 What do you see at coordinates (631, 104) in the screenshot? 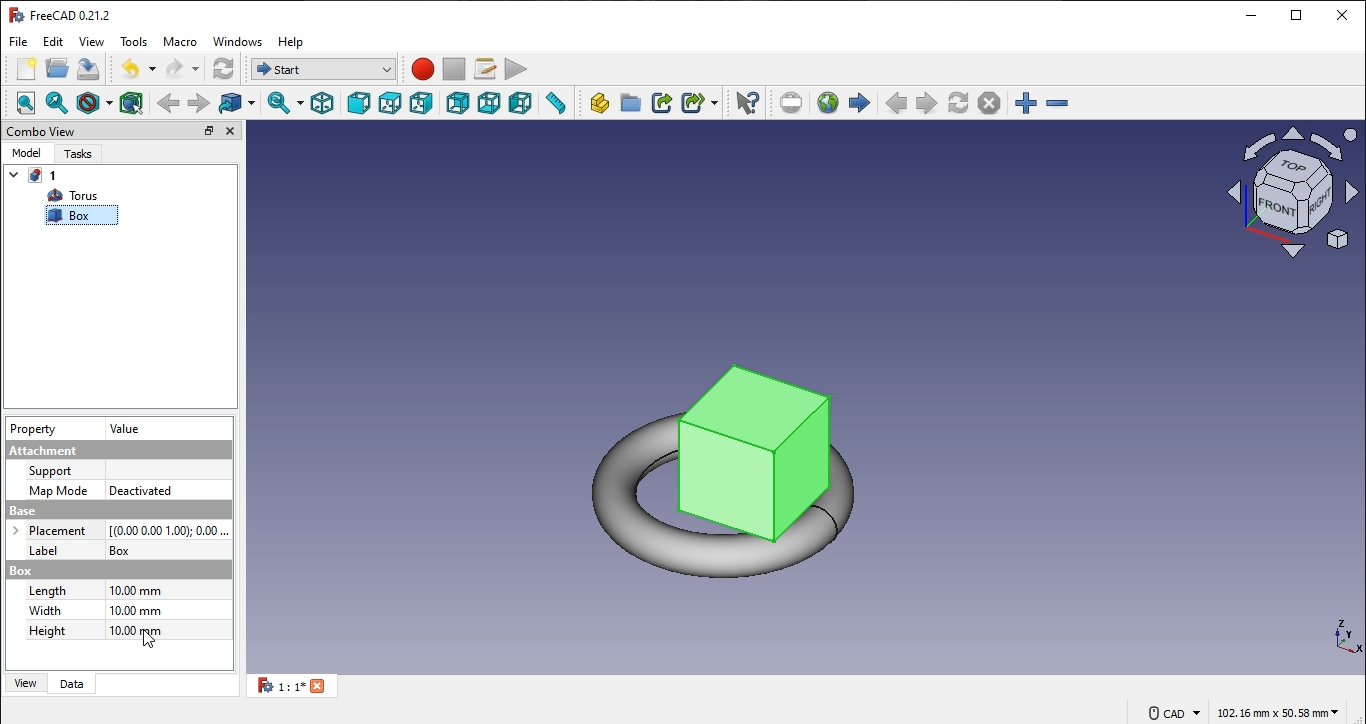
I see `create folder` at bounding box center [631, 104].